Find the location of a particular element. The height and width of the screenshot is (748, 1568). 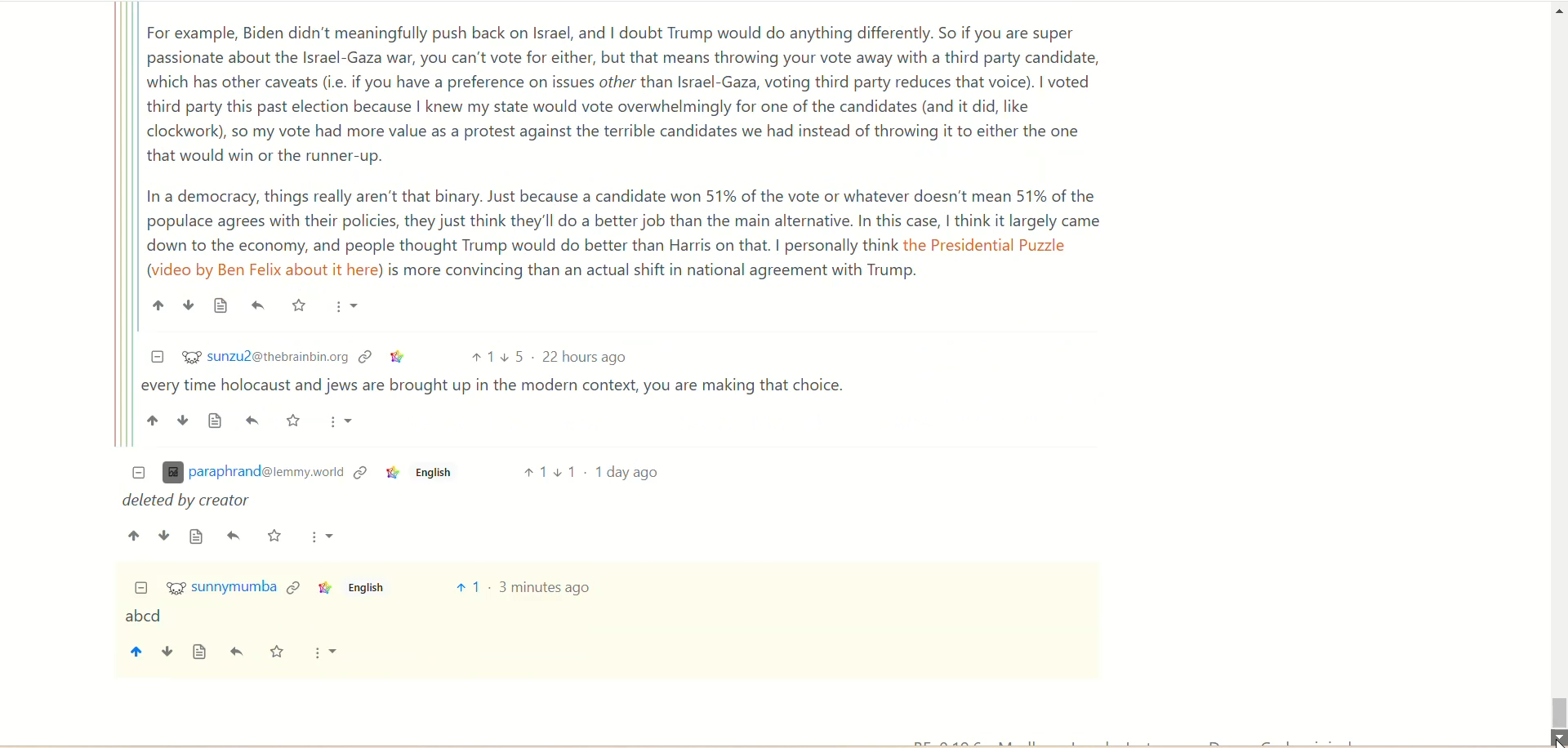

vote is located at coordinates (467, 587).